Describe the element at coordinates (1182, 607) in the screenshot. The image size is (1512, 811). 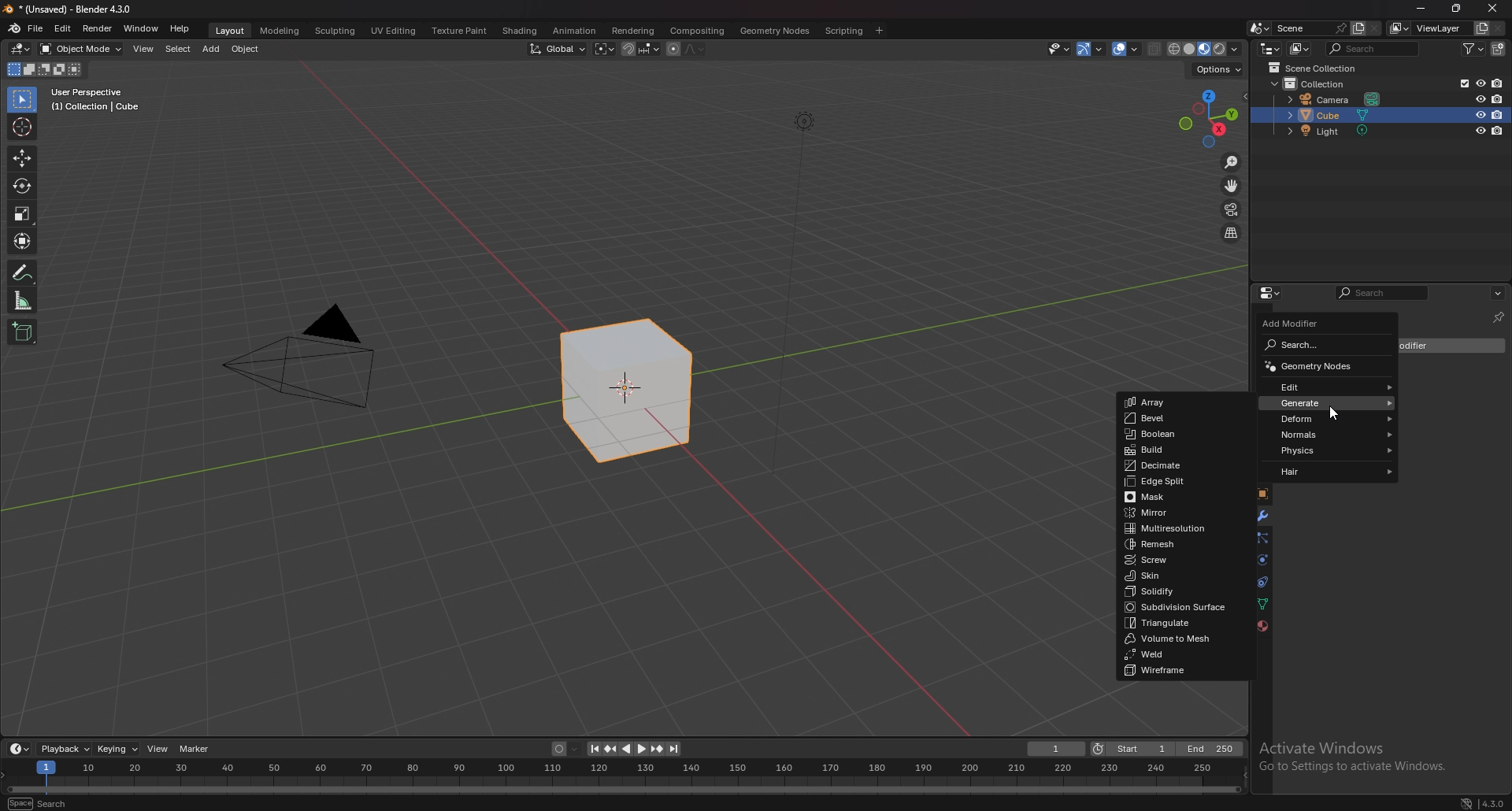
I see `subdivision surface` at that location.